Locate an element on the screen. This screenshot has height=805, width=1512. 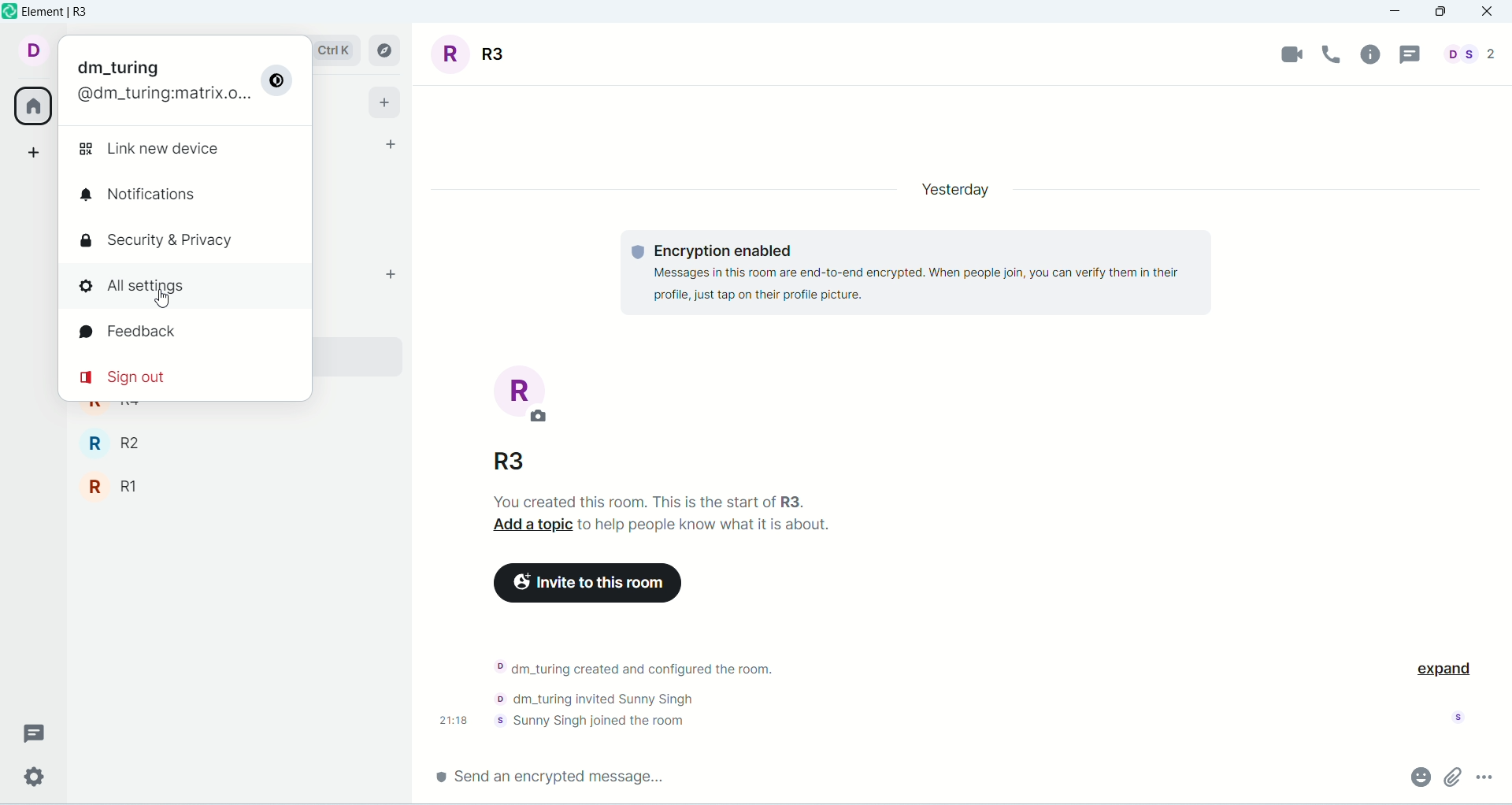
link new device is located at coordinates (166, 146).